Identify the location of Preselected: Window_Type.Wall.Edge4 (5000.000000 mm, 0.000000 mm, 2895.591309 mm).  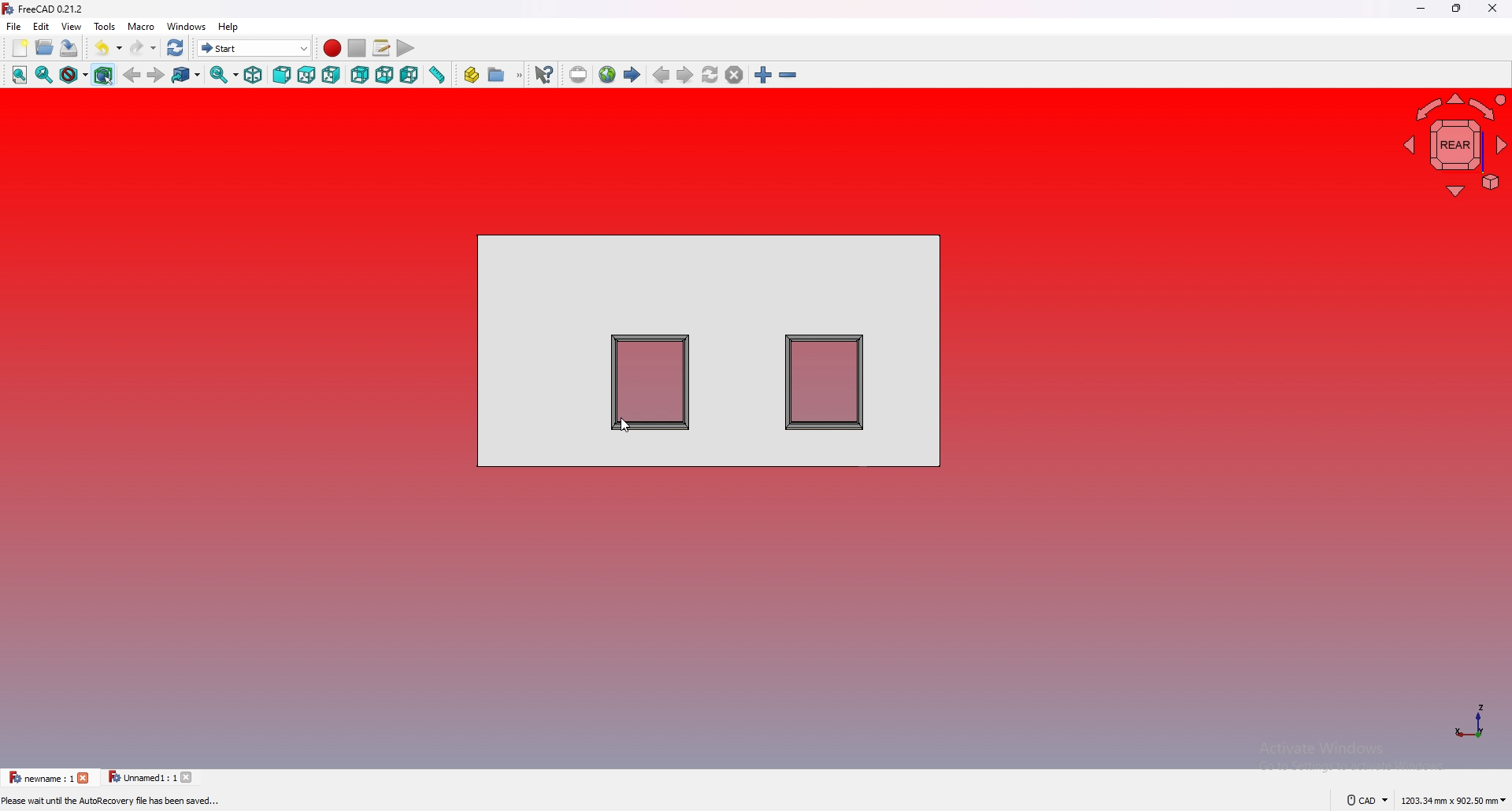
(181, 802).